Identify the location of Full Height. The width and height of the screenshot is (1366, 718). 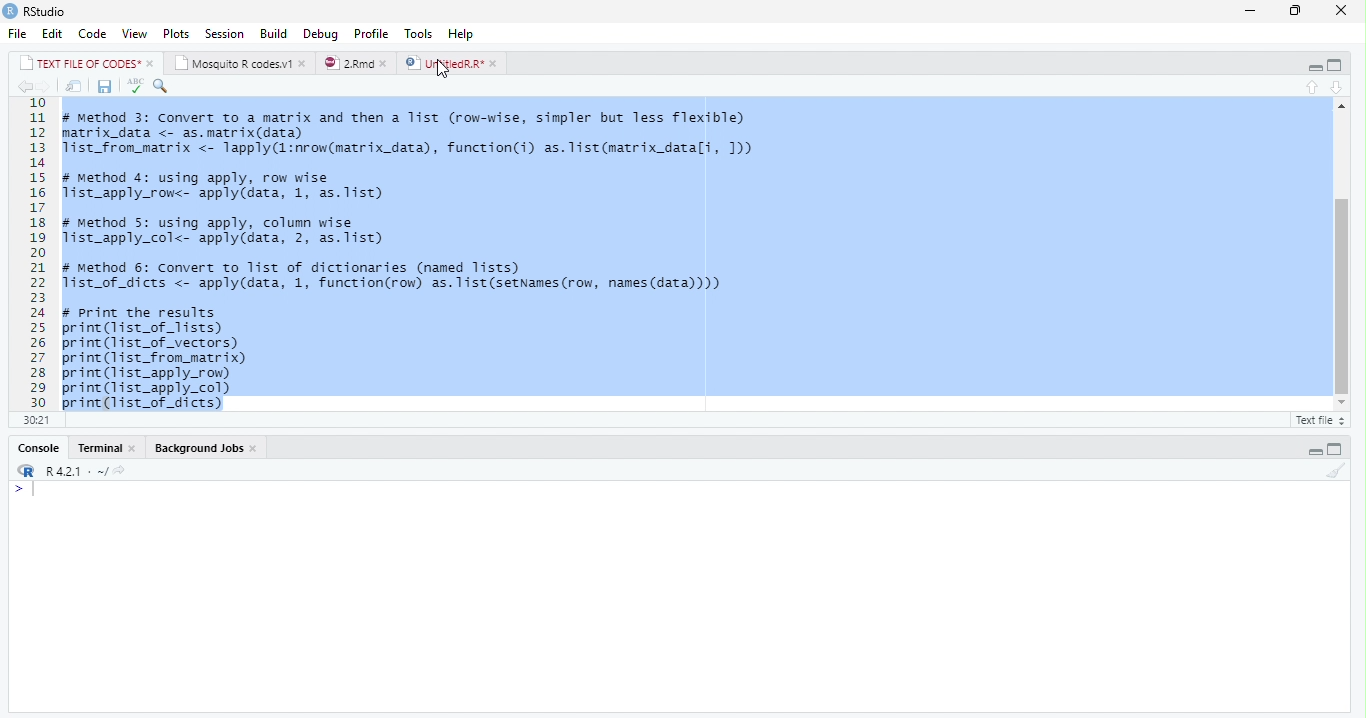
(1338, 447).